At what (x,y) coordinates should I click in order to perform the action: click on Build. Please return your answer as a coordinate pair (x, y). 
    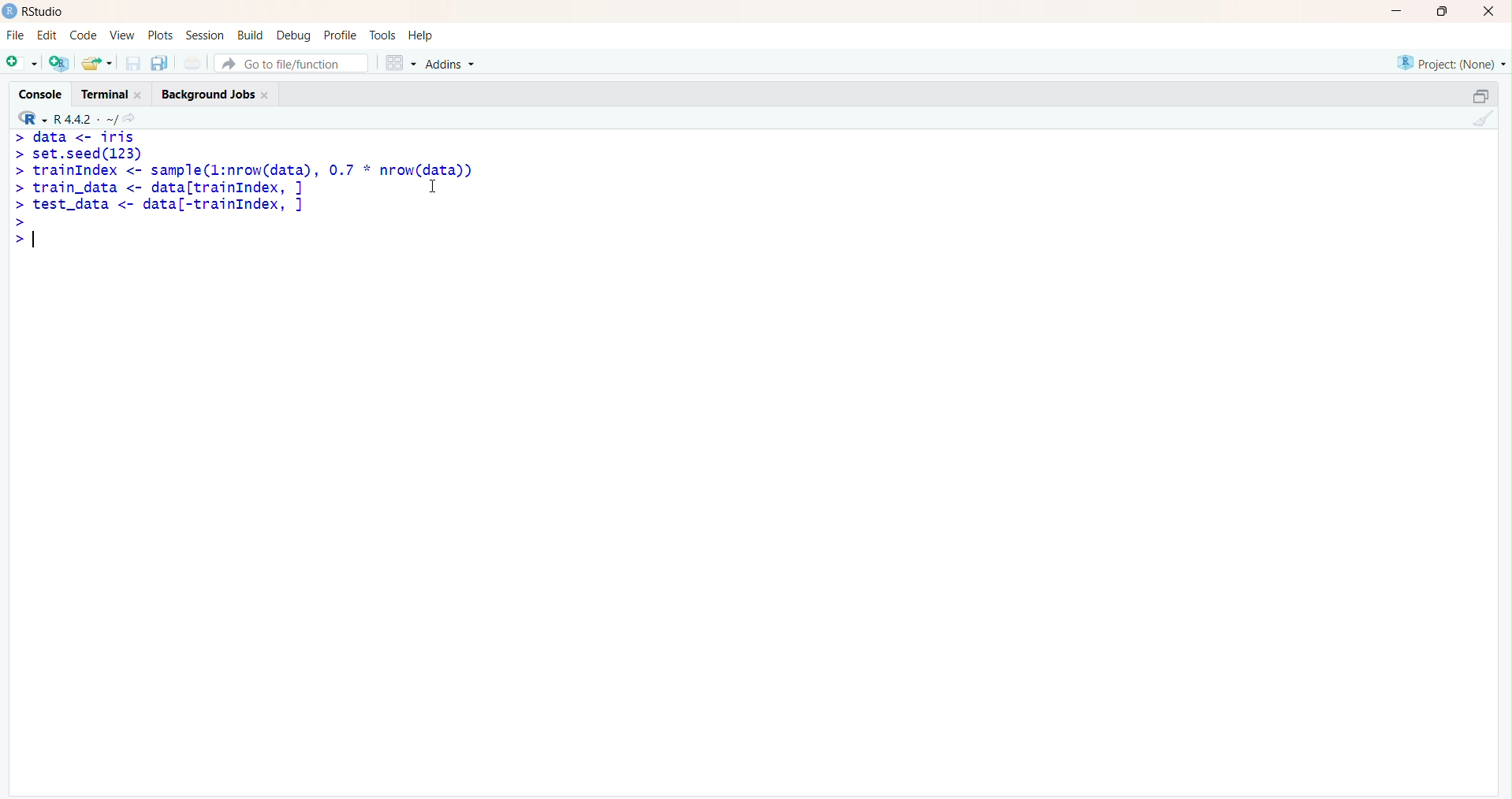
    Looking at the image, I should click on (252, 34).